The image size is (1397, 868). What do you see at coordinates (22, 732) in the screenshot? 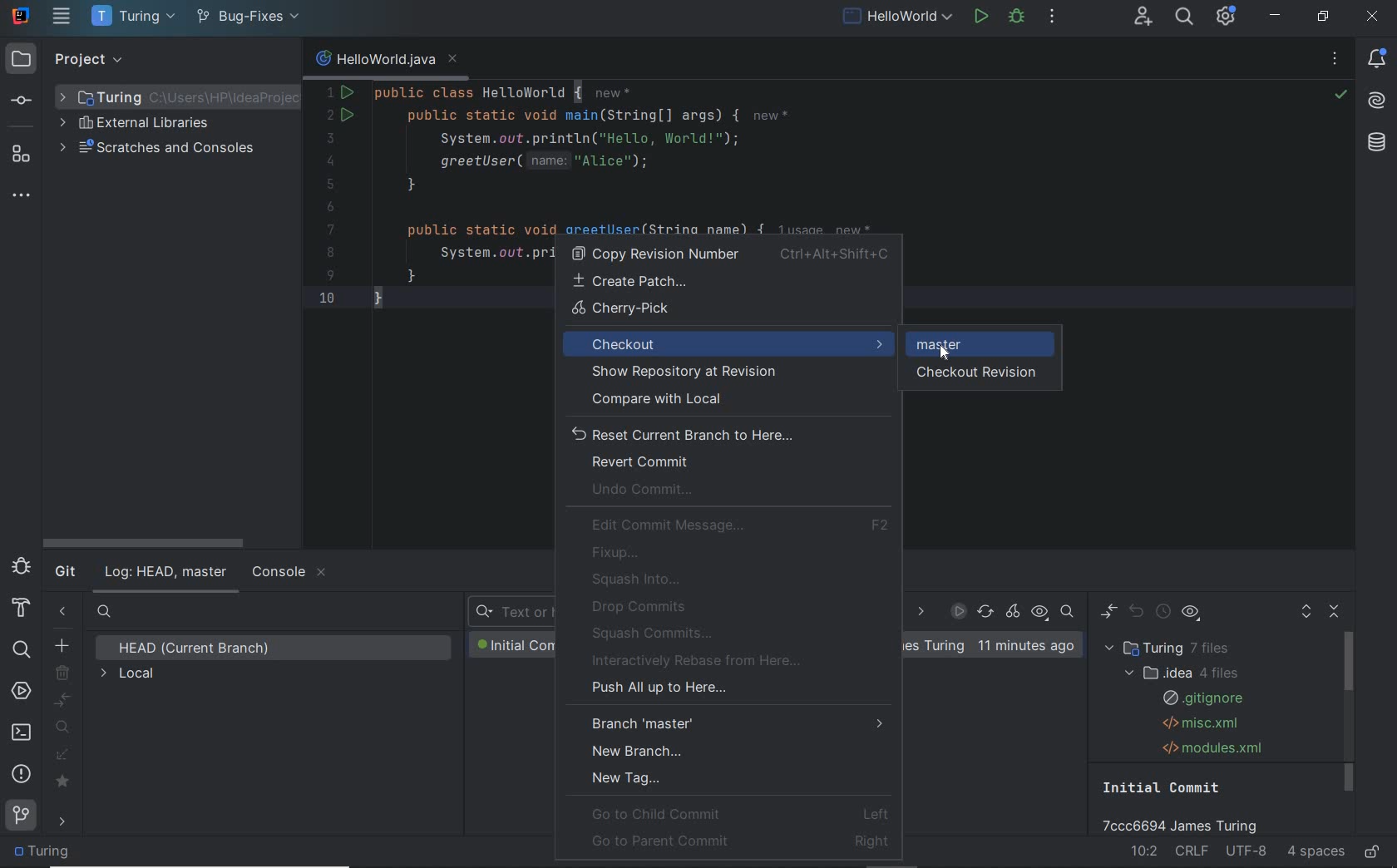
I see `terminal` at bounding box center [22, 732].